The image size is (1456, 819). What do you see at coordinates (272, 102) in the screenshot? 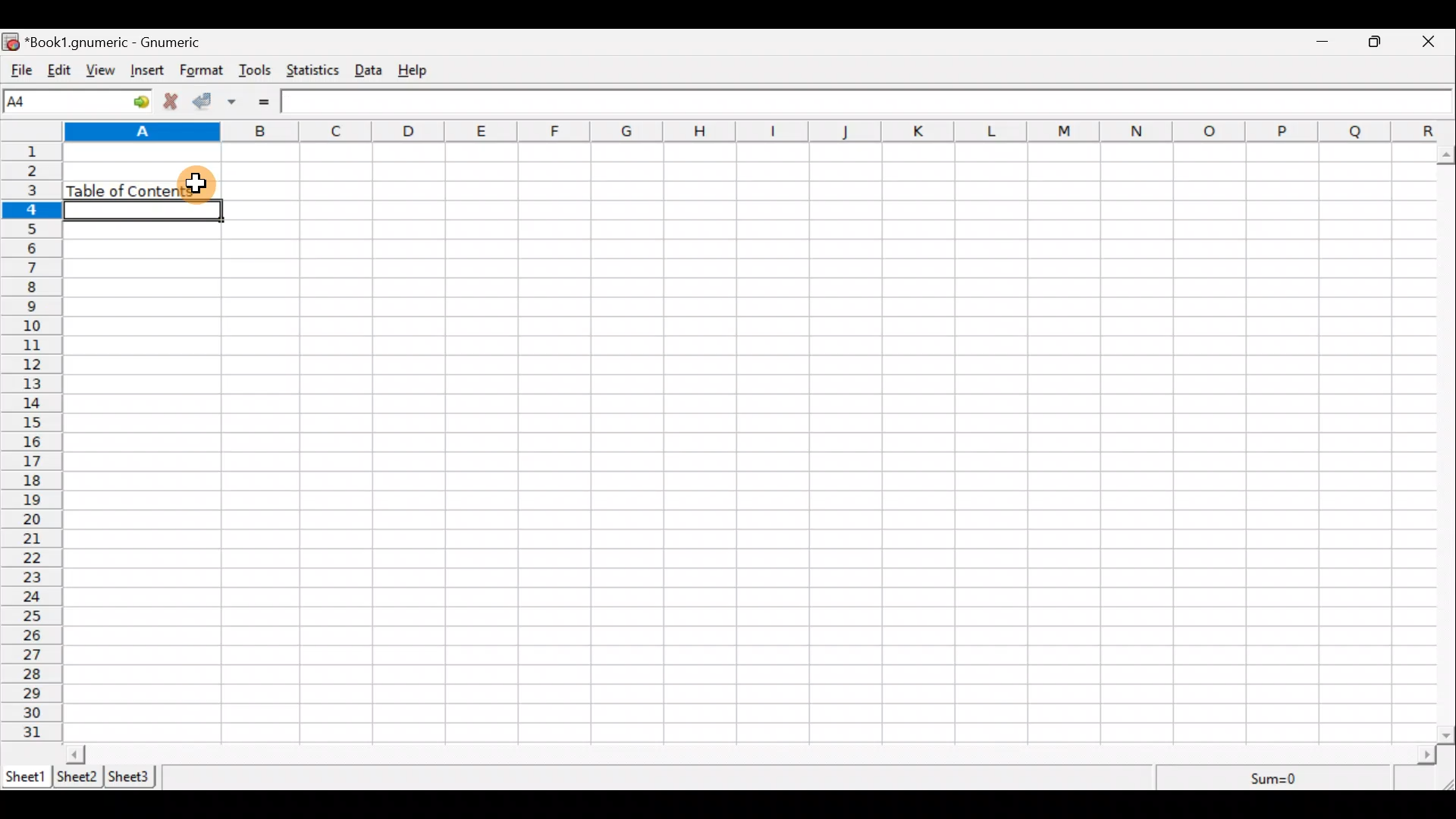
I see `Enter formula` at bounding box center [272, 102].